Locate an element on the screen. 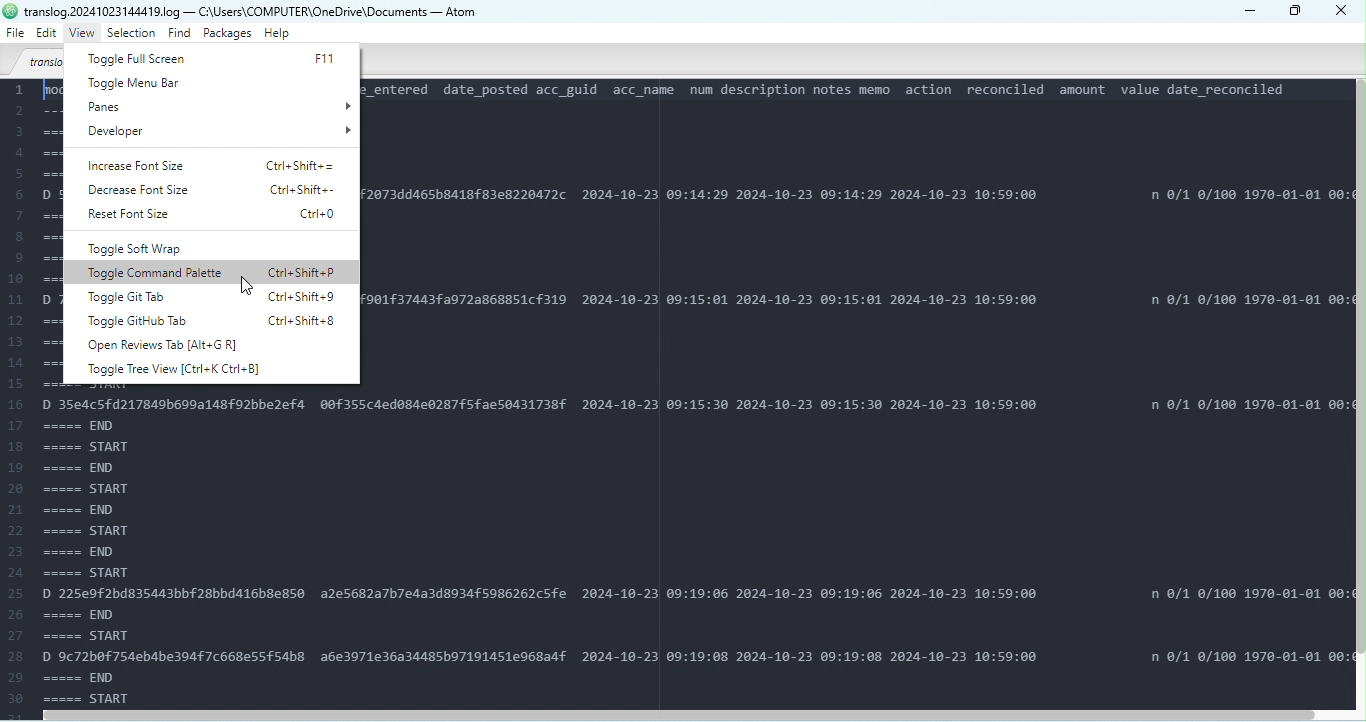 Image resolution: width=1366 pixels, height=722 pixels. Maximize is located at coordinates (1296, 12).